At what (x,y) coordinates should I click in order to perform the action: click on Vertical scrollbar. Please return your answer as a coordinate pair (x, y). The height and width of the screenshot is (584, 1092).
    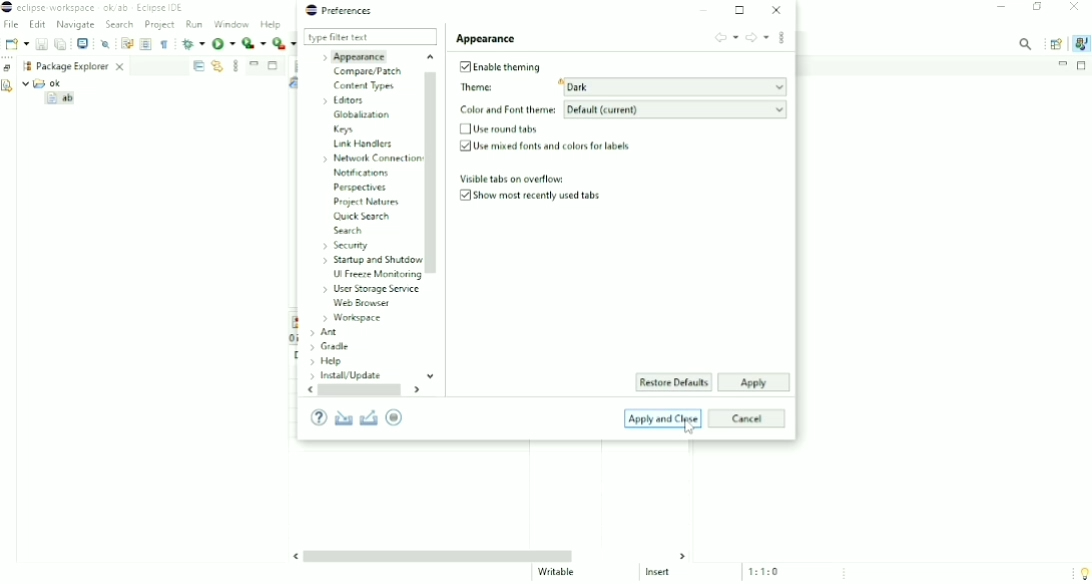
    Looking at the image, I should click on (434, 217).